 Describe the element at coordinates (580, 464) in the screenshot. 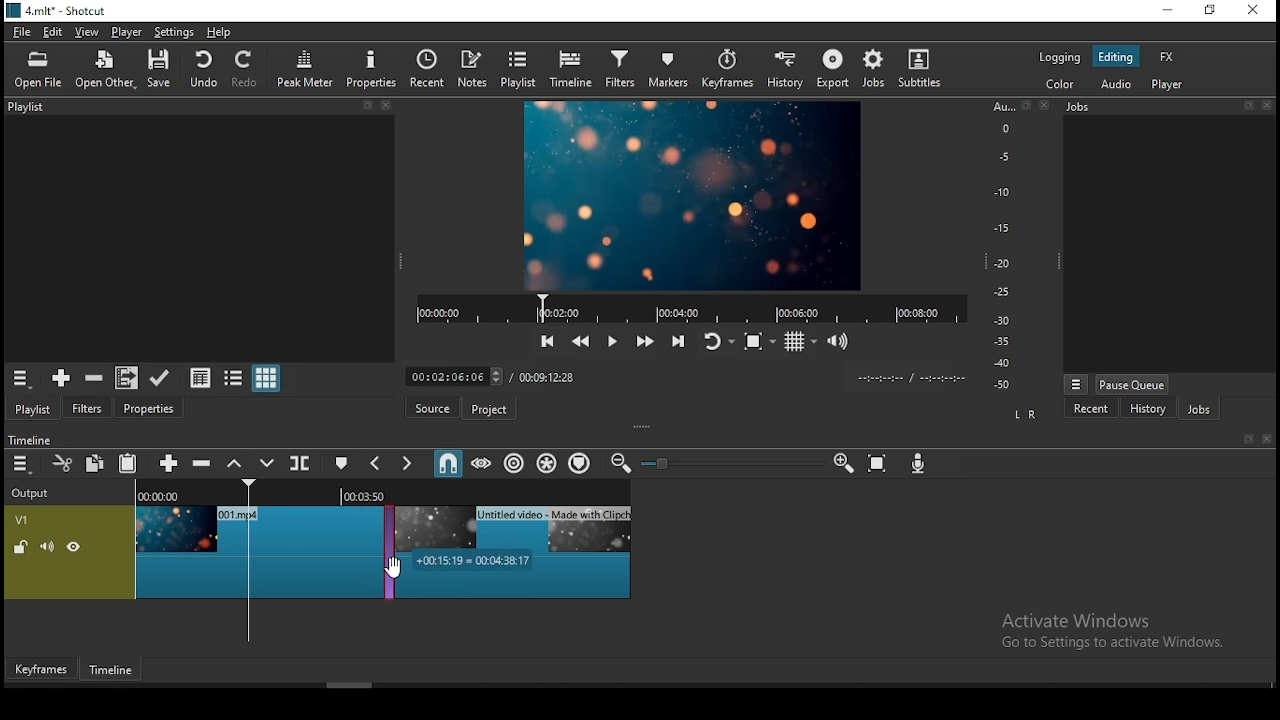

I see `ripple markers` at that location.